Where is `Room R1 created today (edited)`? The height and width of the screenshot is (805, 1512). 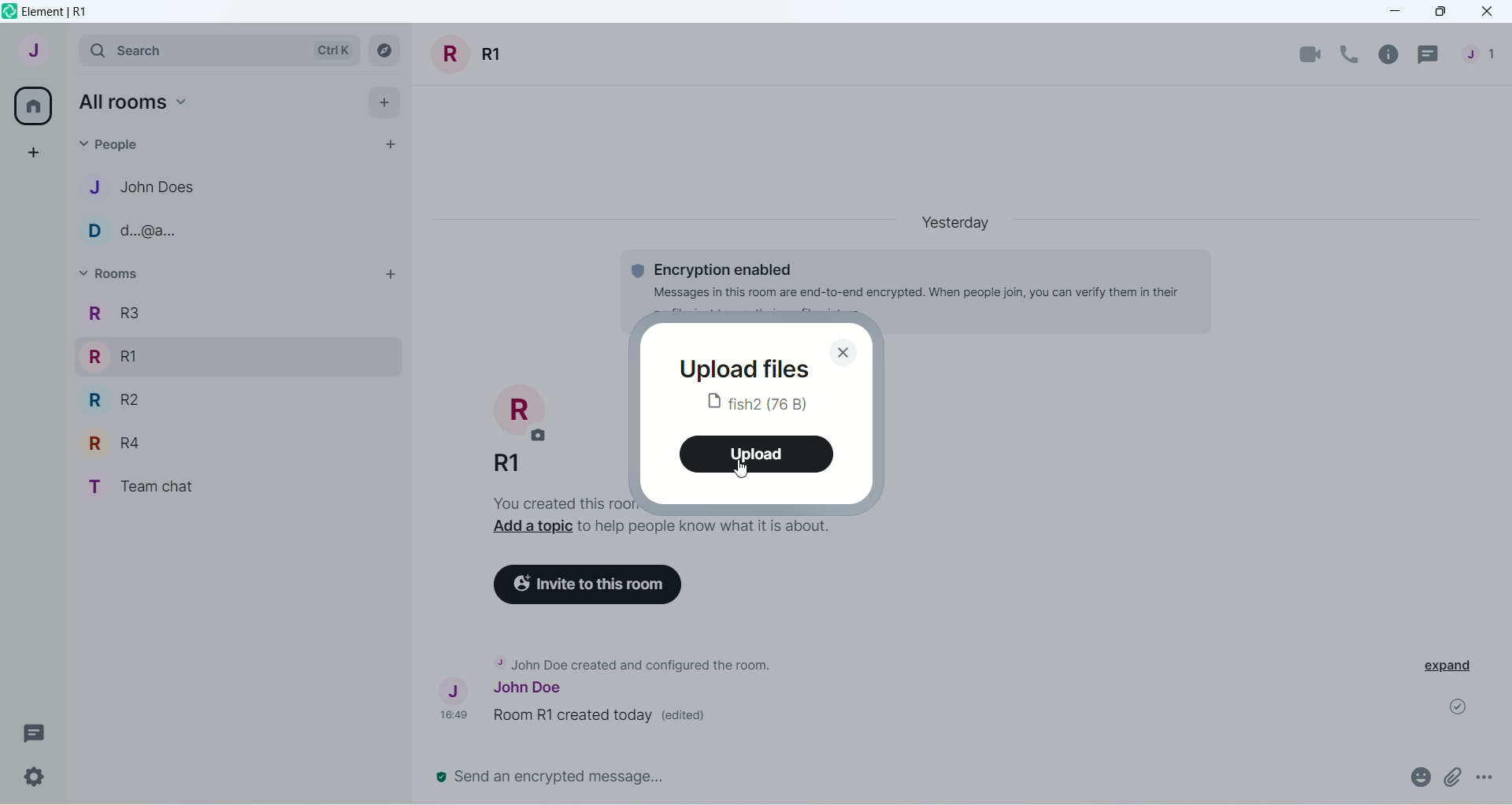 Room R1 created today (edited) is located at coordinates (606, 717).